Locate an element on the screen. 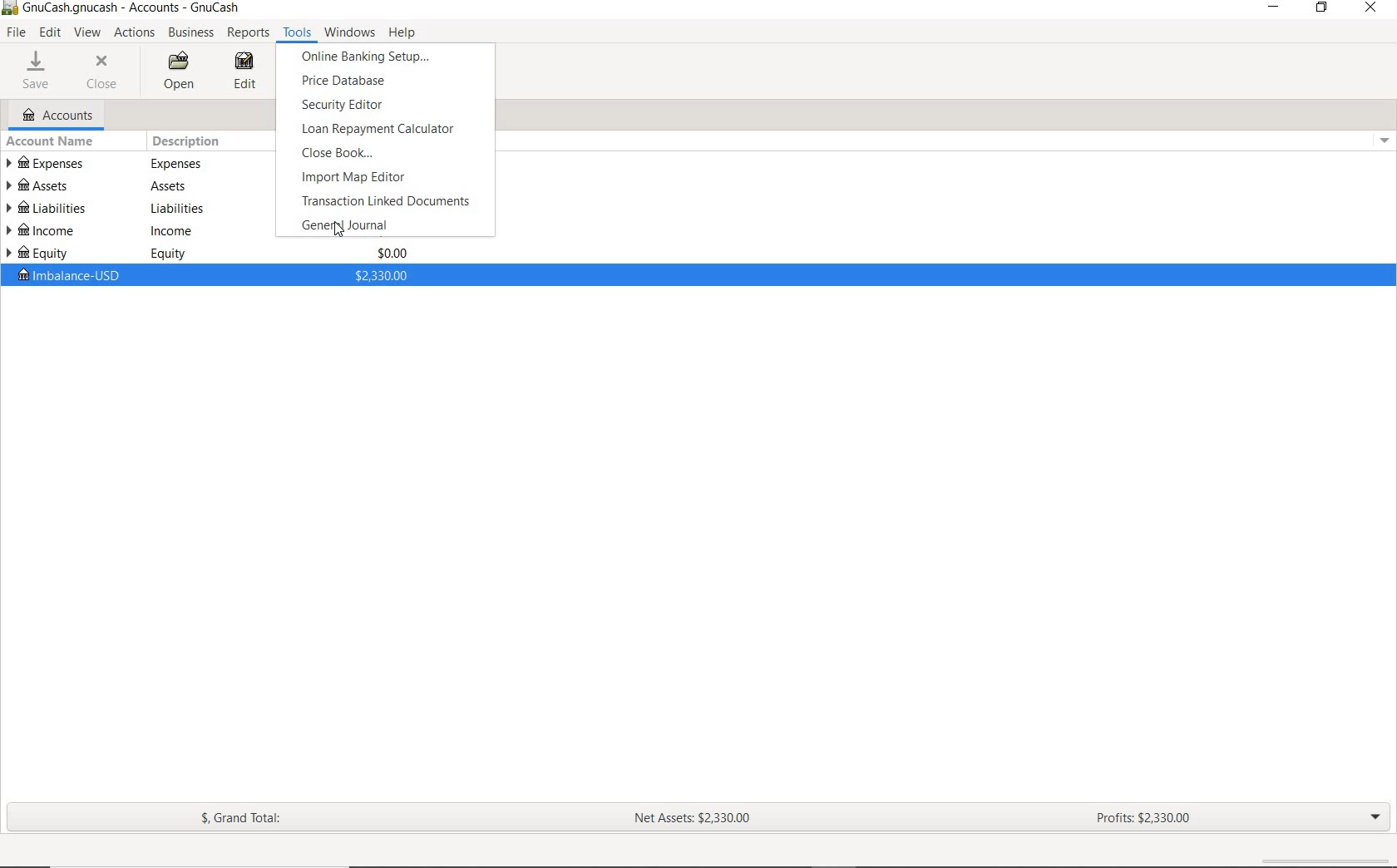 The image size is (1397, 868). ASSETS is located at coordinates (137, 184).